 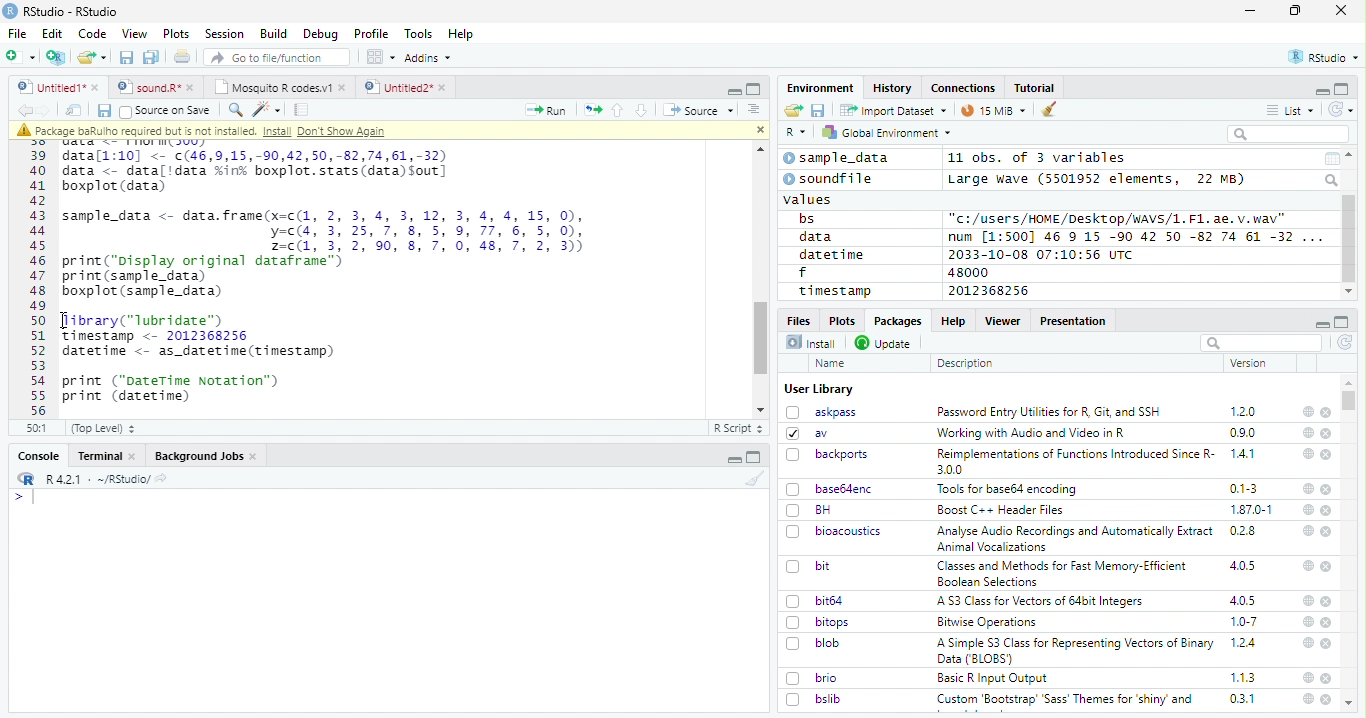 What do you see at coordinates (1243, 677) in the screenshot?
I see `1.1.3` at bounding box center [1243, 677].